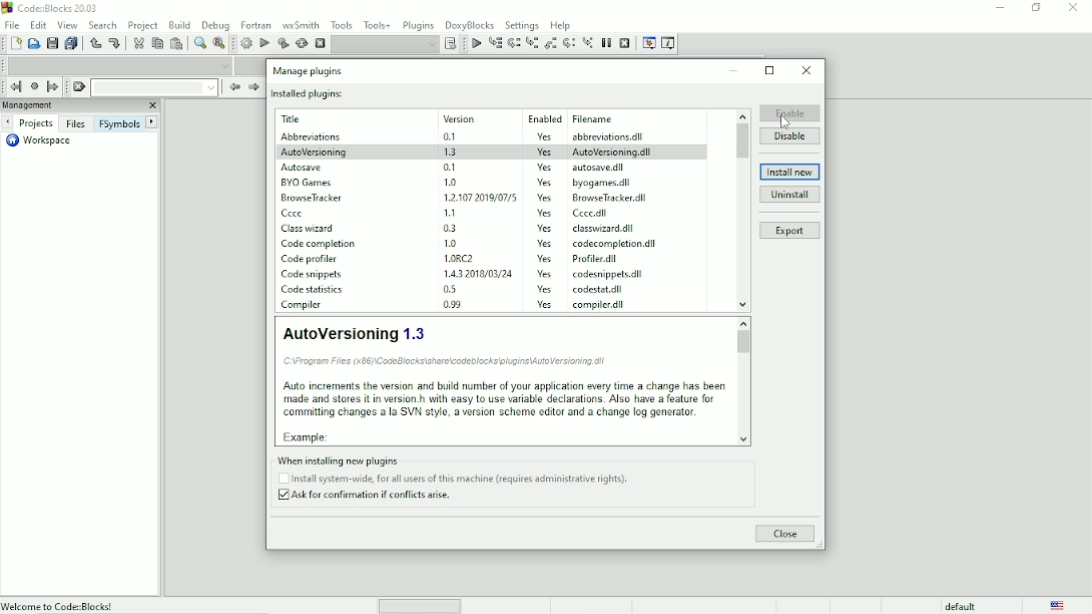 This screenshot has height=614, width=1092. Describe the element at coordinates (545, 228) in the screenshot. I see `Yes` at that location.